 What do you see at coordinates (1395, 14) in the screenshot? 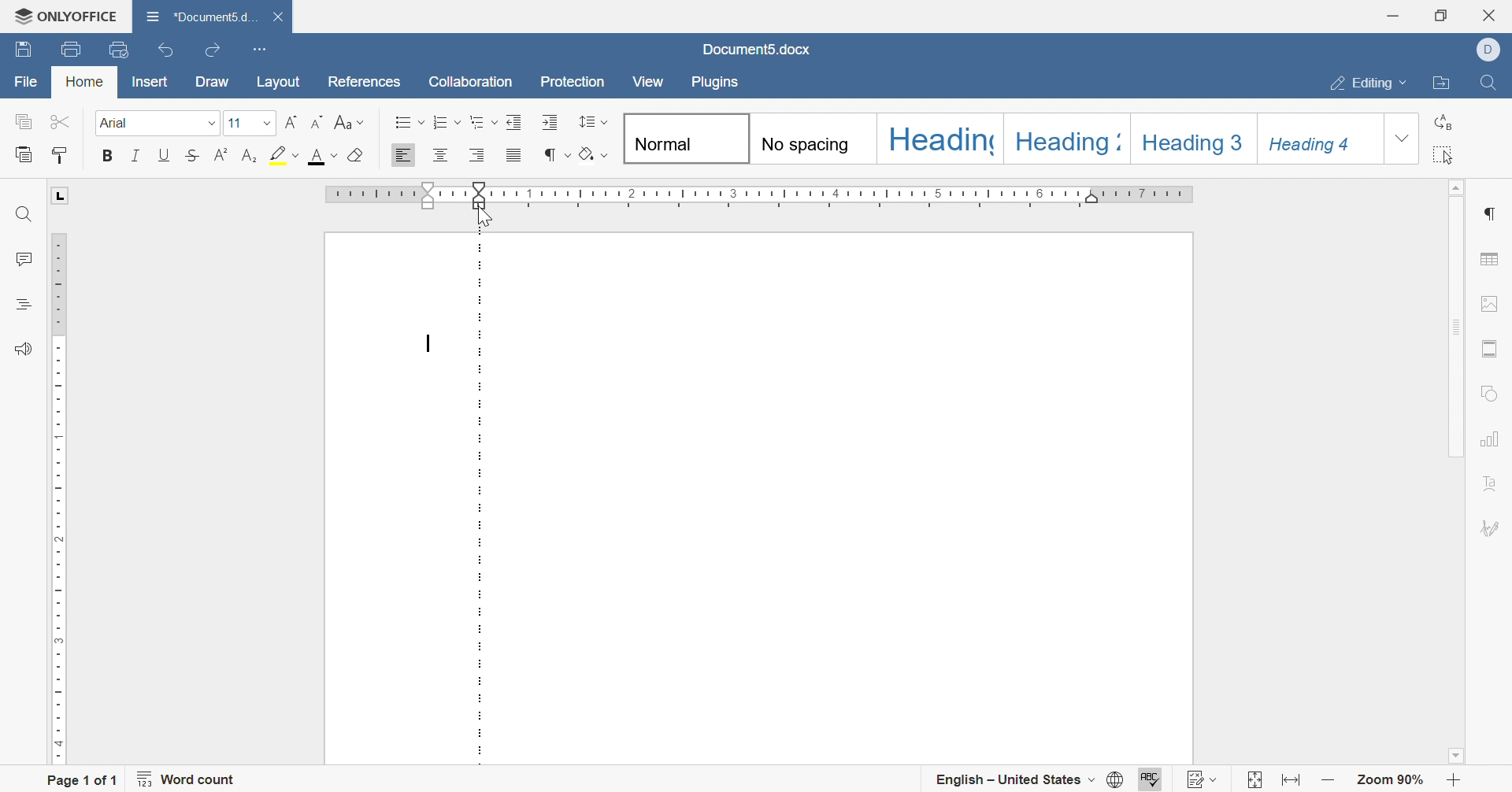
I see `minimize` at bounding box center [1395, 14].